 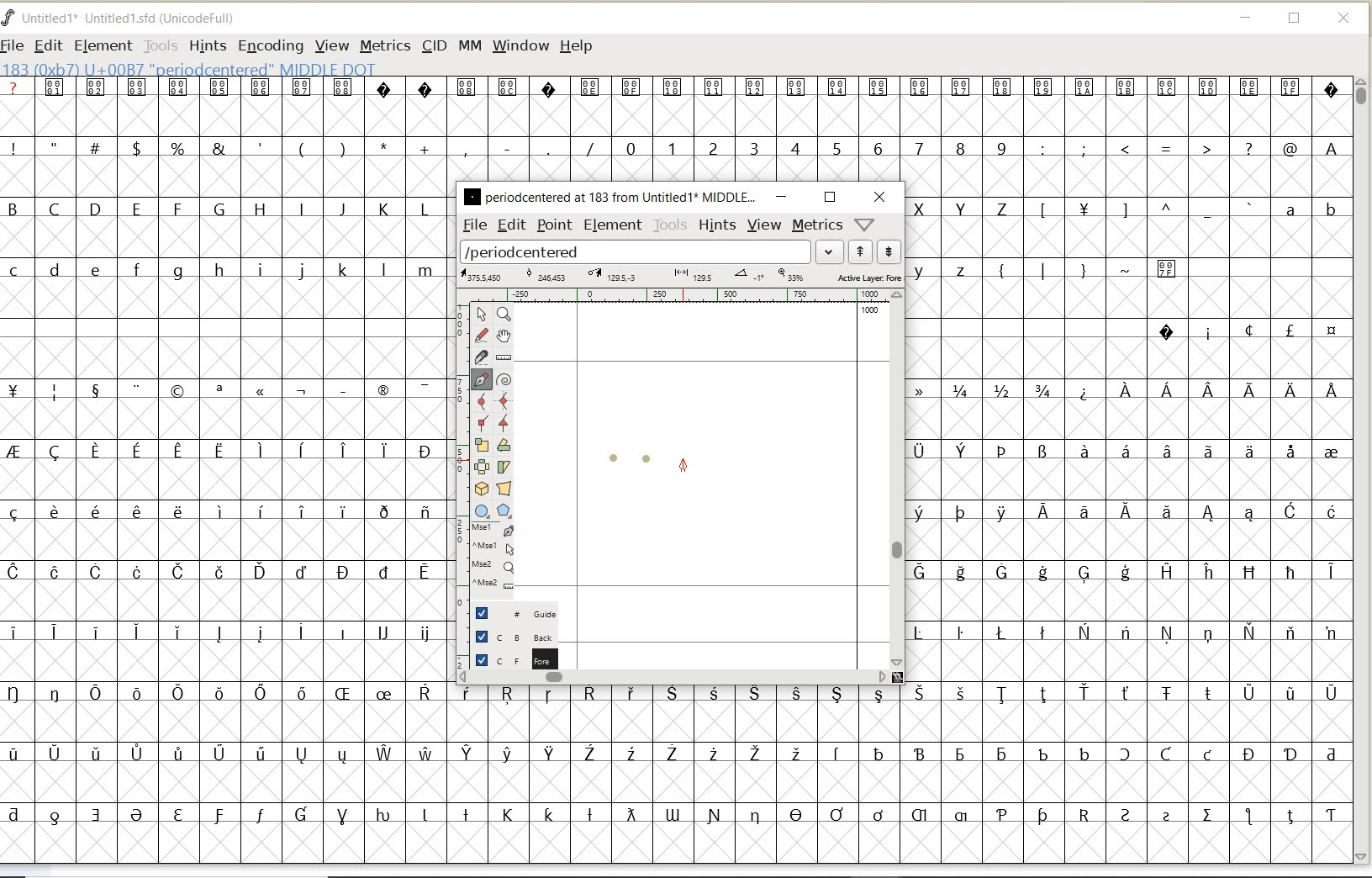 What do you see at coordinates (9, 16) in the screenshot?
I see `FontForge Logo` at bounding box center [9, 16].